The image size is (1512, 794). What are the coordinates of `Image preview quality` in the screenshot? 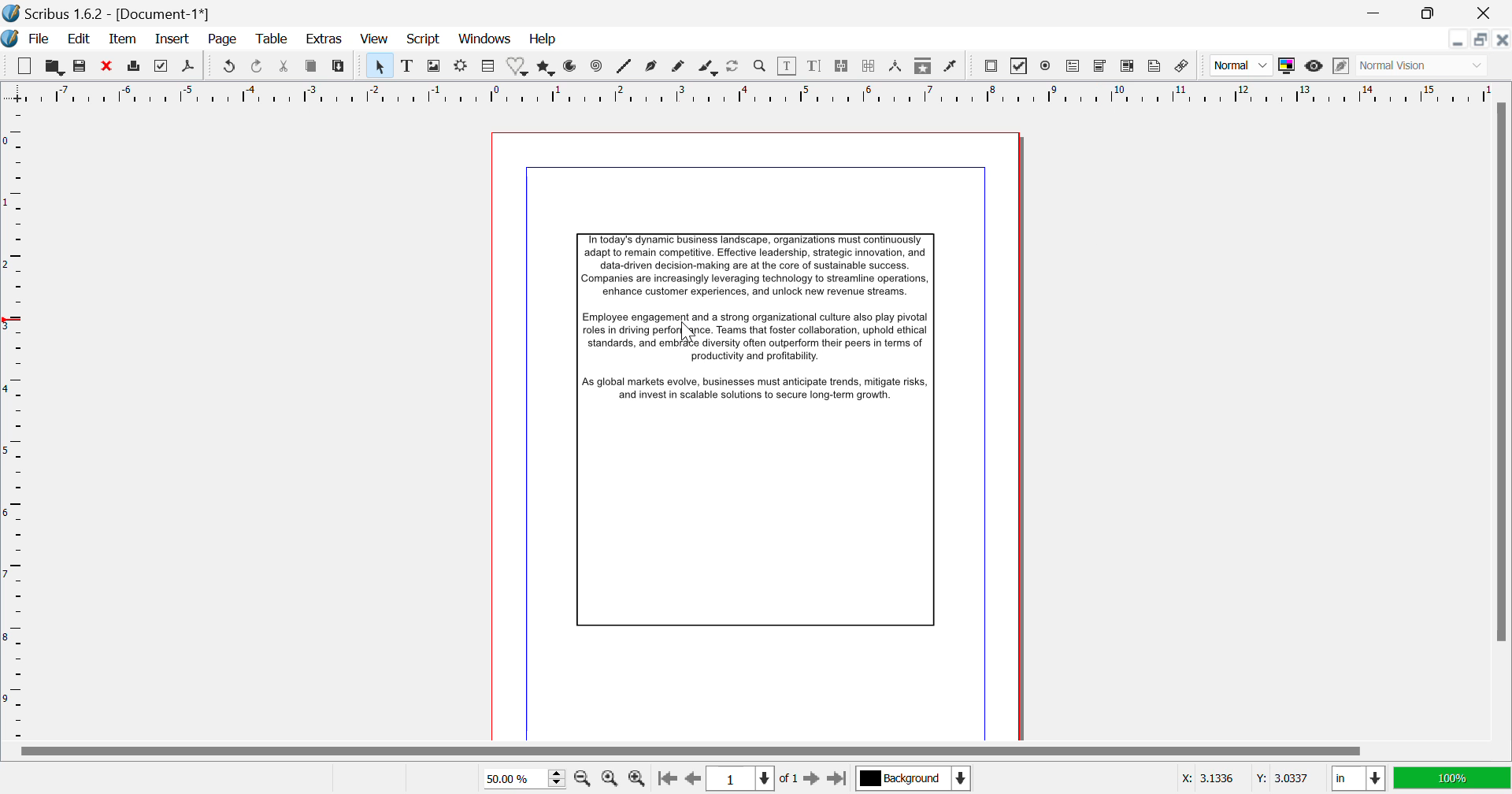 It's located at (1243, 65).